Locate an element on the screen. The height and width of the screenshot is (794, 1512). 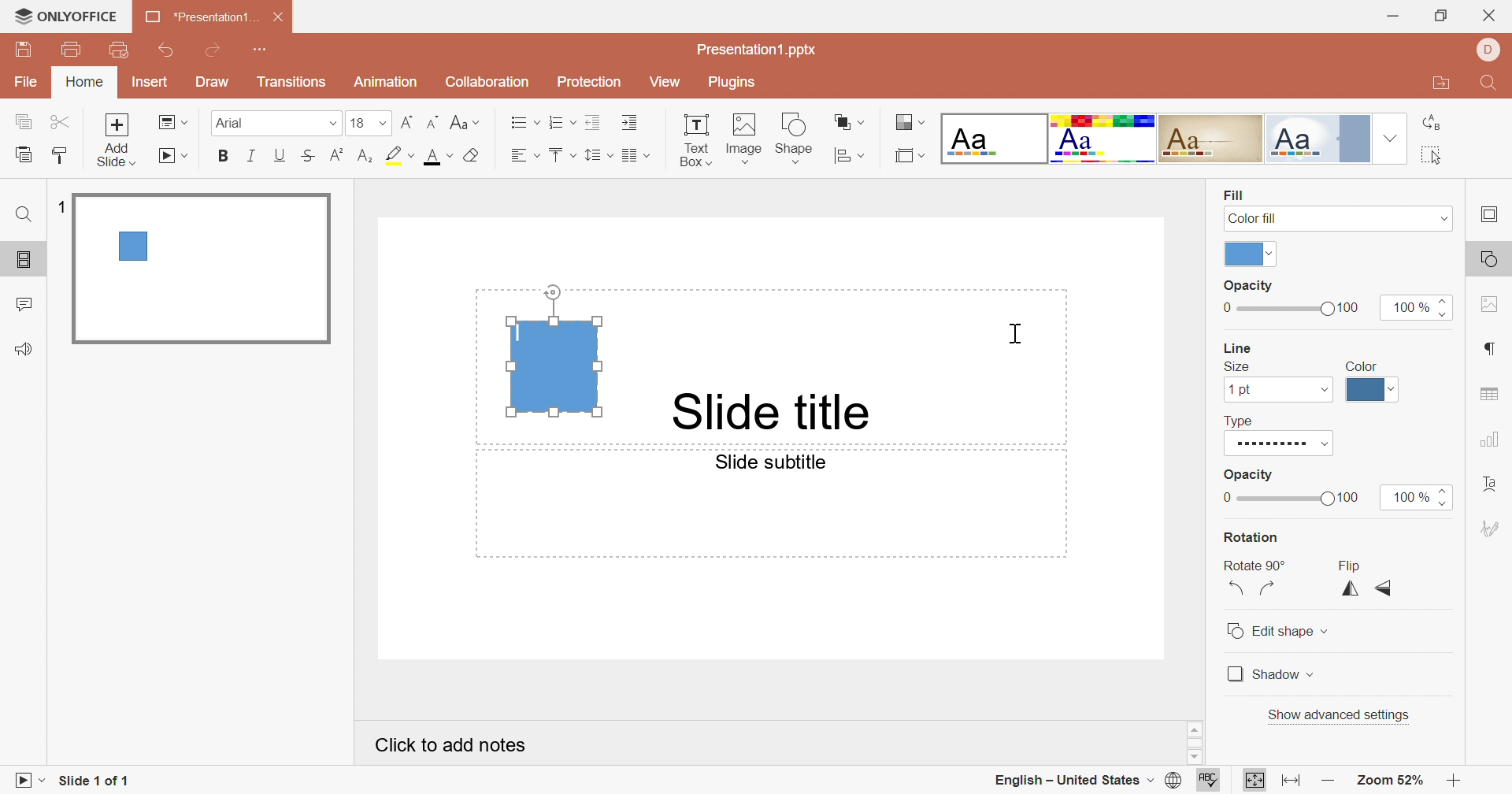
Bullets is located at coordinates (525, 124).